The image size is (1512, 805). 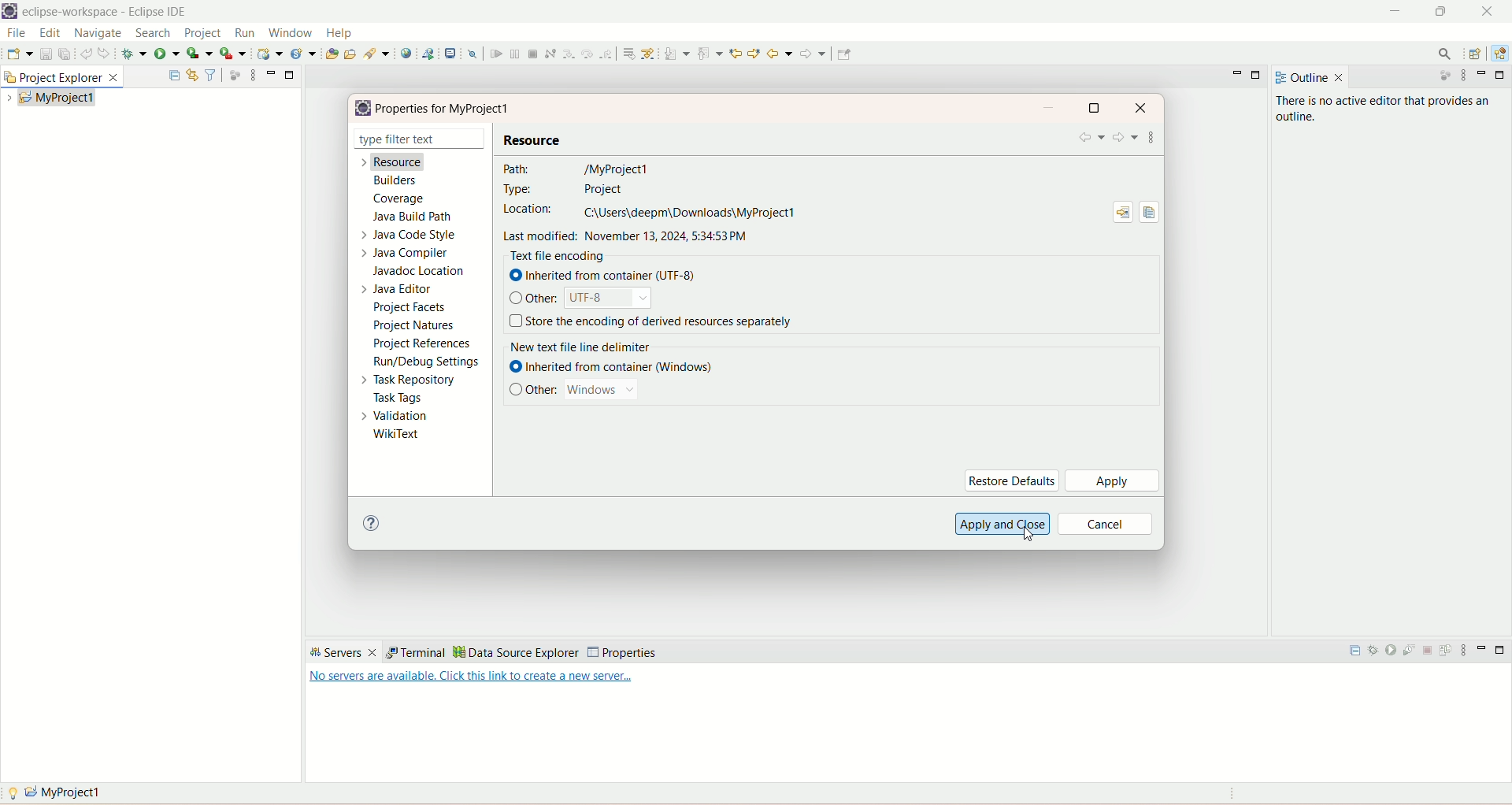 I want to click on project facets, so click(x=409, y=308).